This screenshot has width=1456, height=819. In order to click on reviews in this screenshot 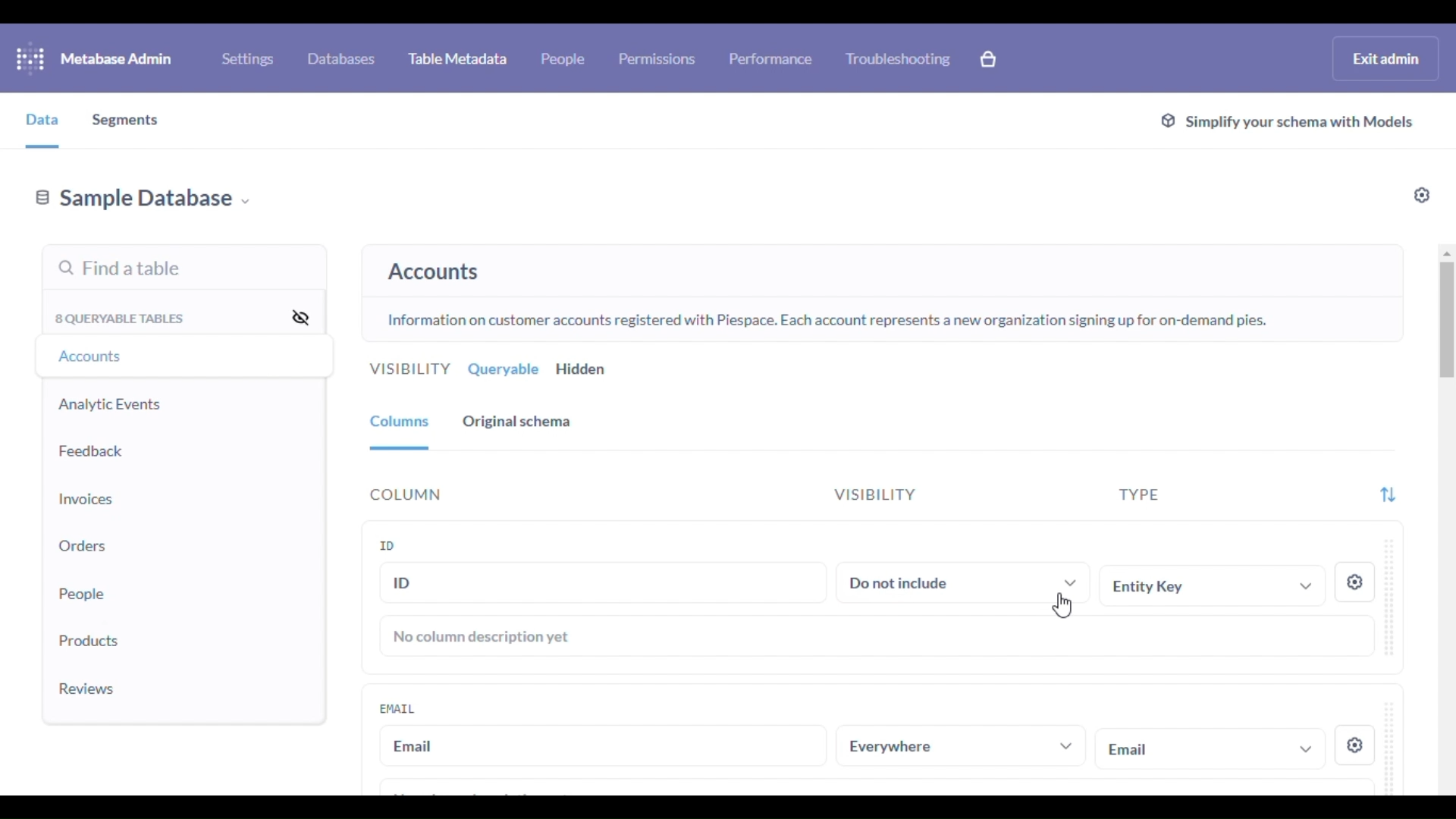, I will do `click(87, 689)`.